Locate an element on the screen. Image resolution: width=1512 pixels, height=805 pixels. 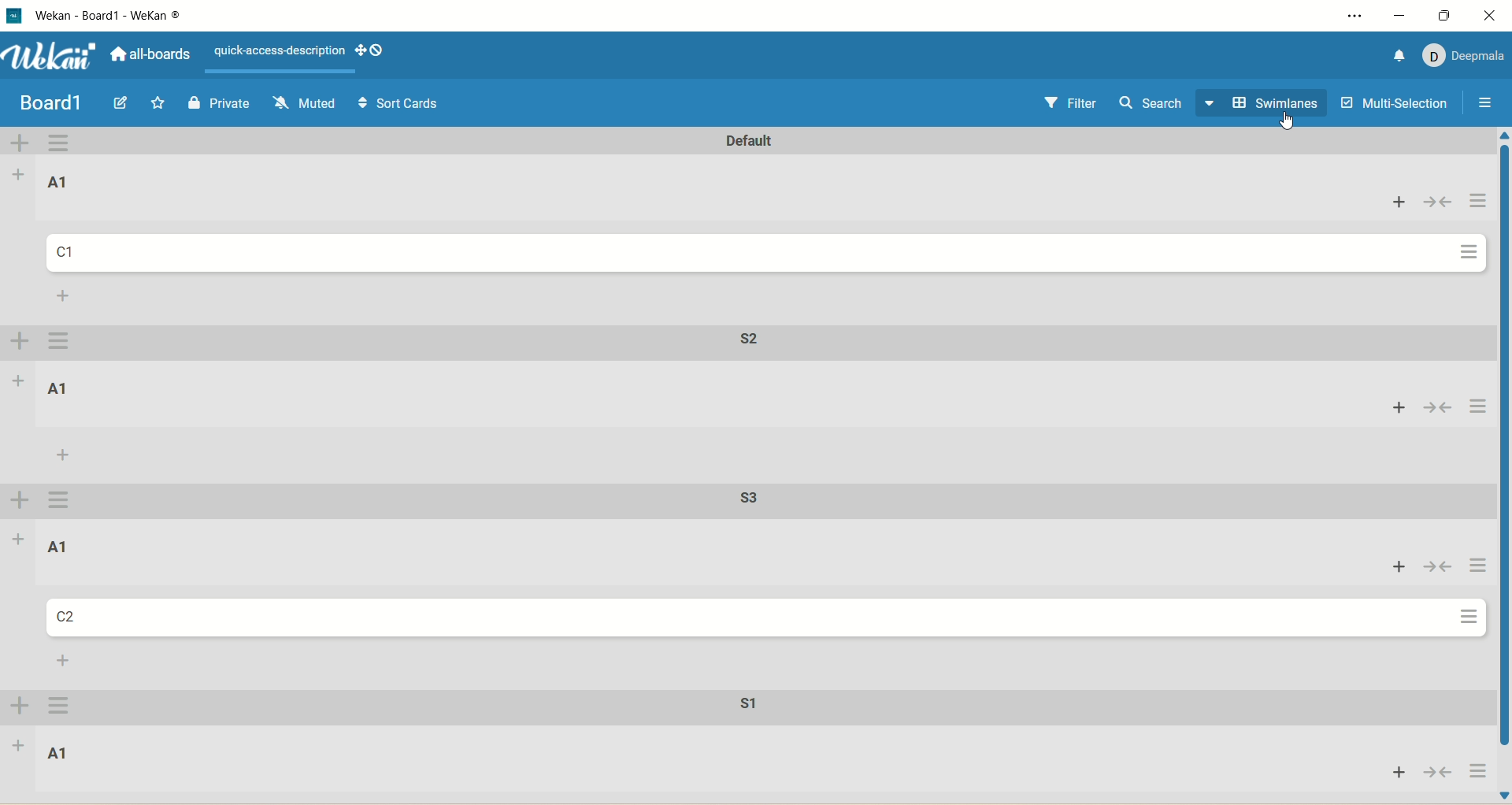
private is located at coordinates (221, 102).